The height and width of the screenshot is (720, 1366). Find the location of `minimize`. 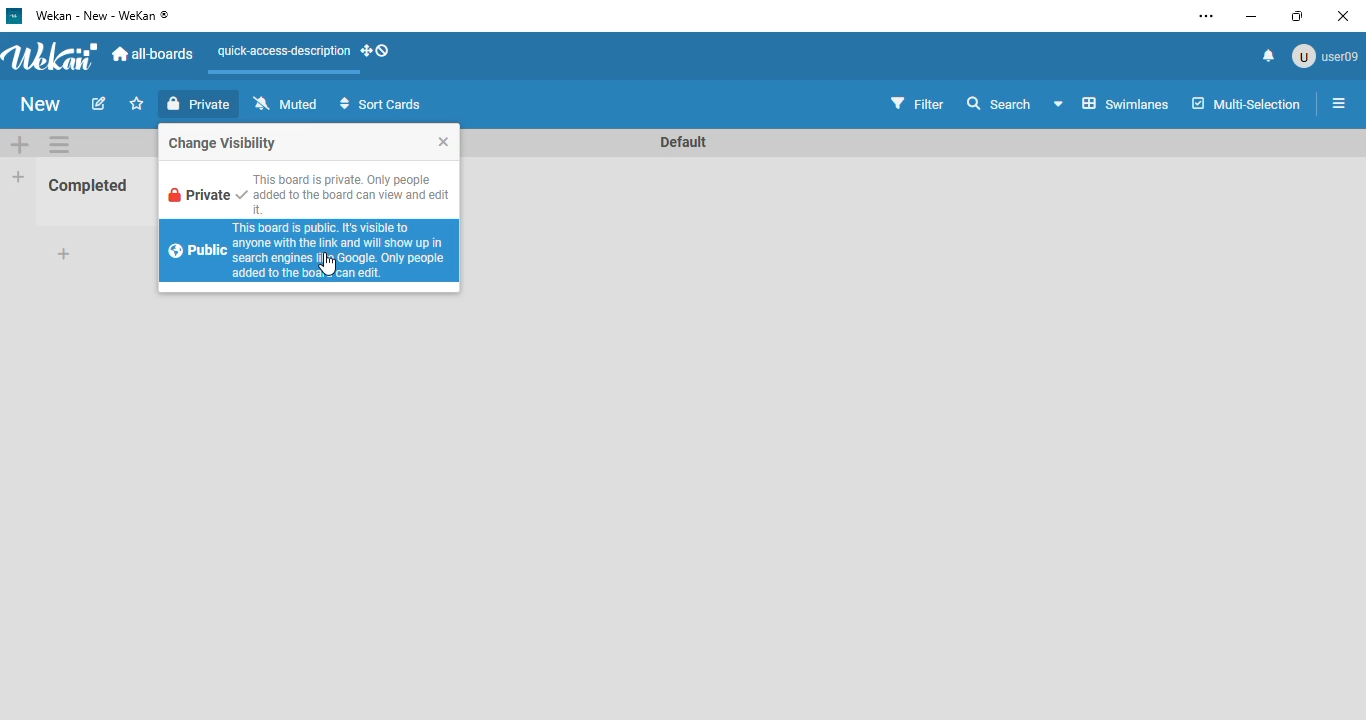

minimize is located at coordinates (1252, 16).